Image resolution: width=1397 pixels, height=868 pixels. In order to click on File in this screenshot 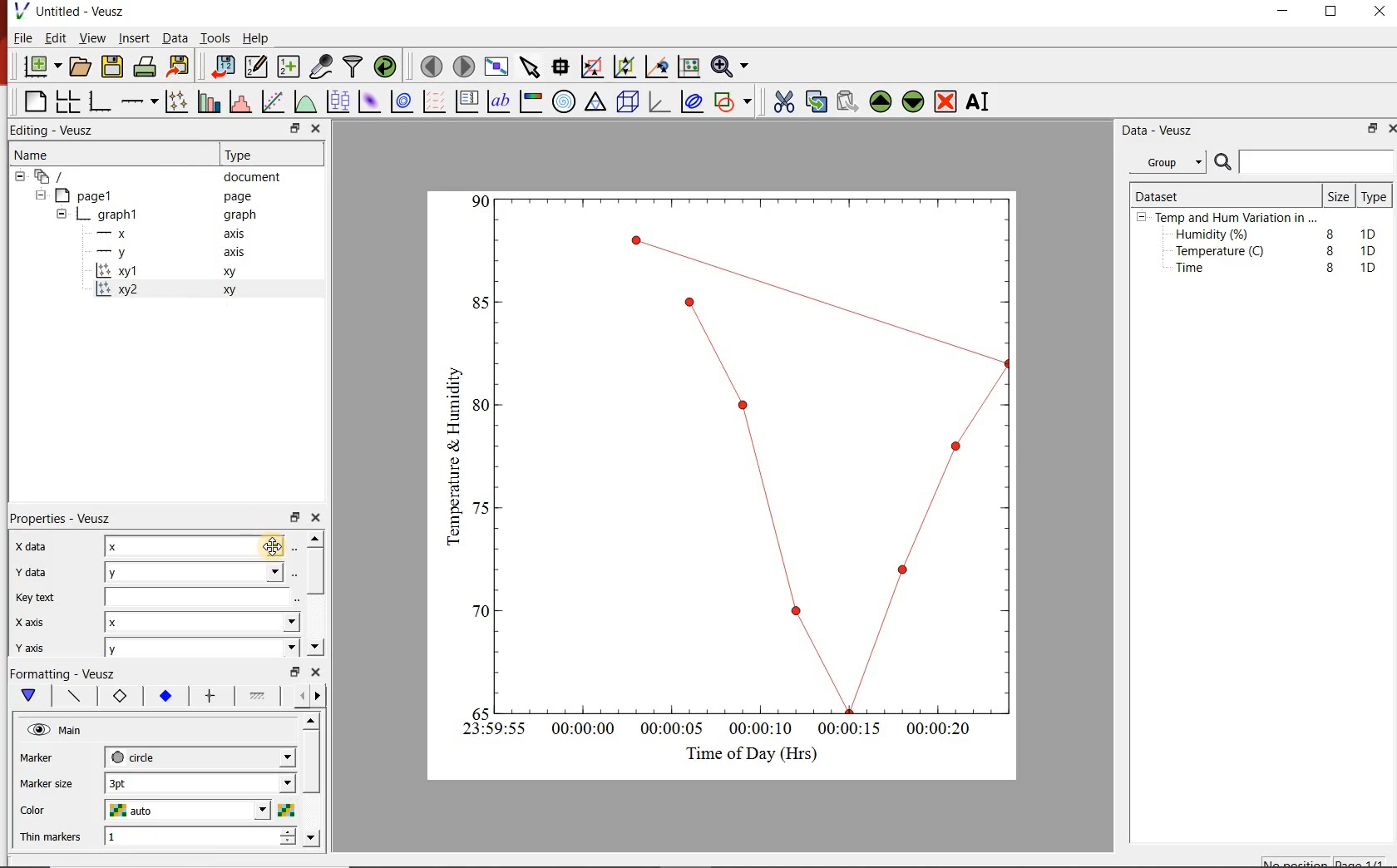, I will do `click(19, 37)`.